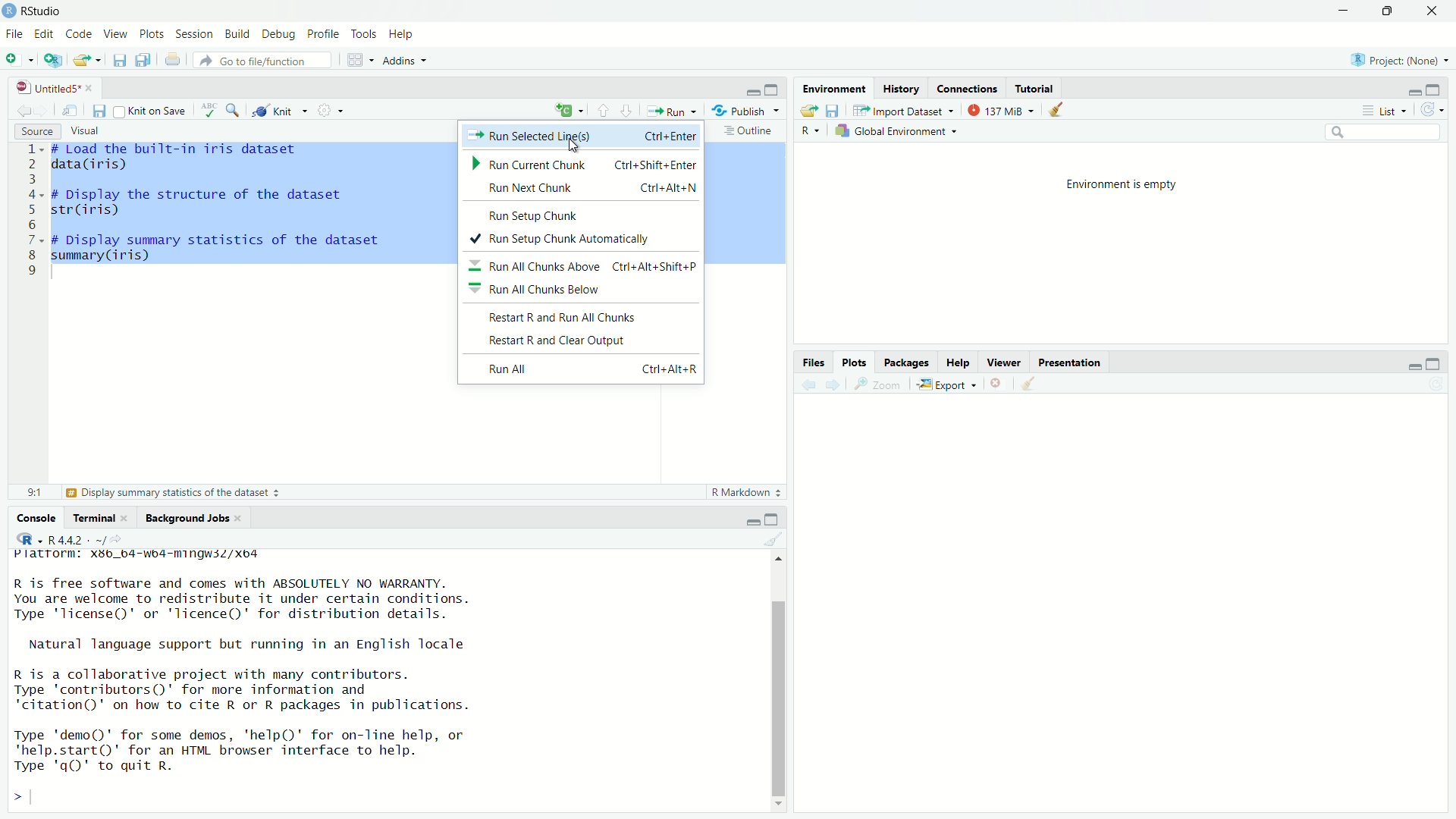 Image resolution: width=1456 pixels, height=819 pixels. Describe the element at coordinates (1345, 11) in the screenshot. I see `Minimize` at that location.